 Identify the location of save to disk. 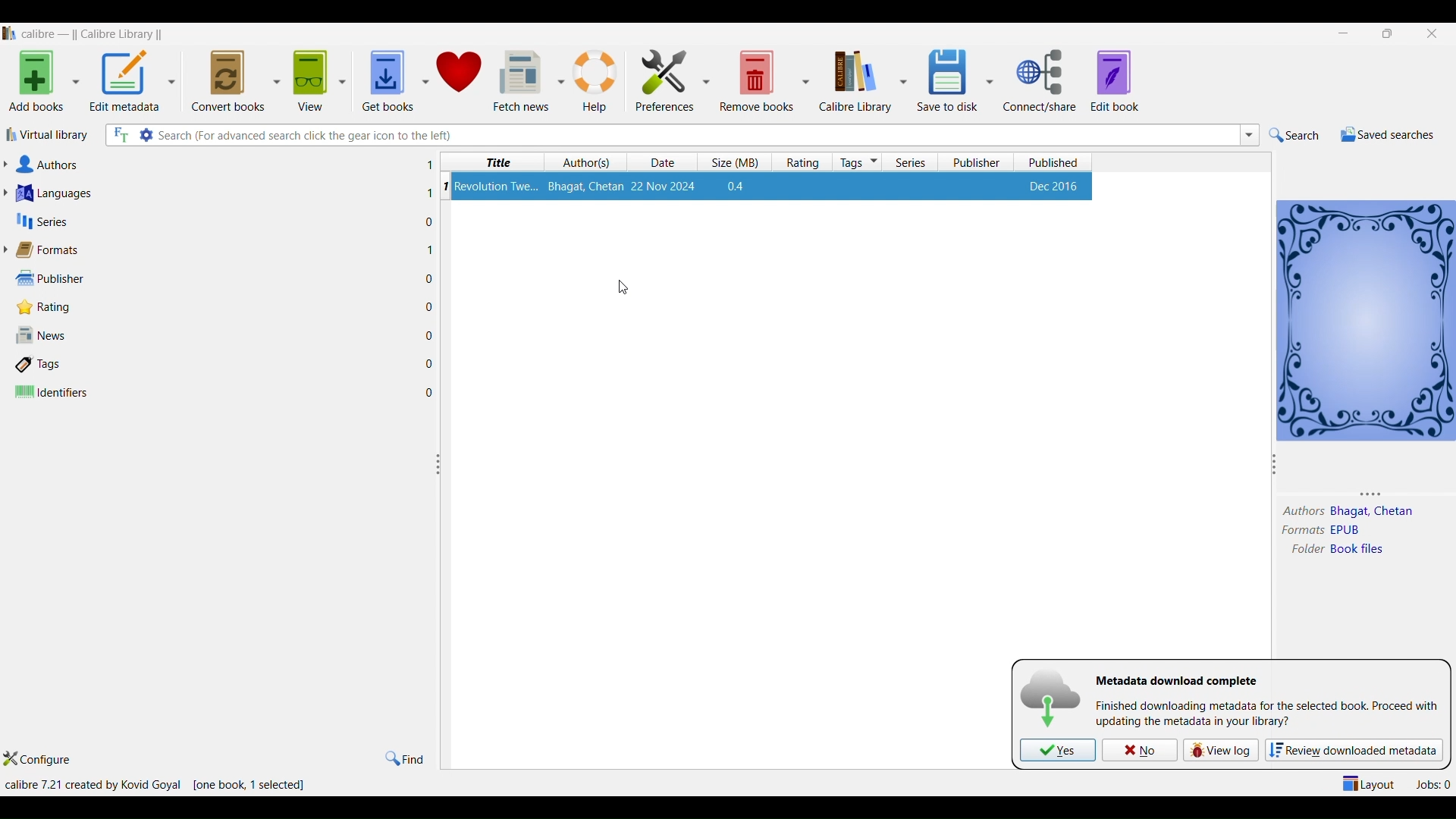
(946, 77).